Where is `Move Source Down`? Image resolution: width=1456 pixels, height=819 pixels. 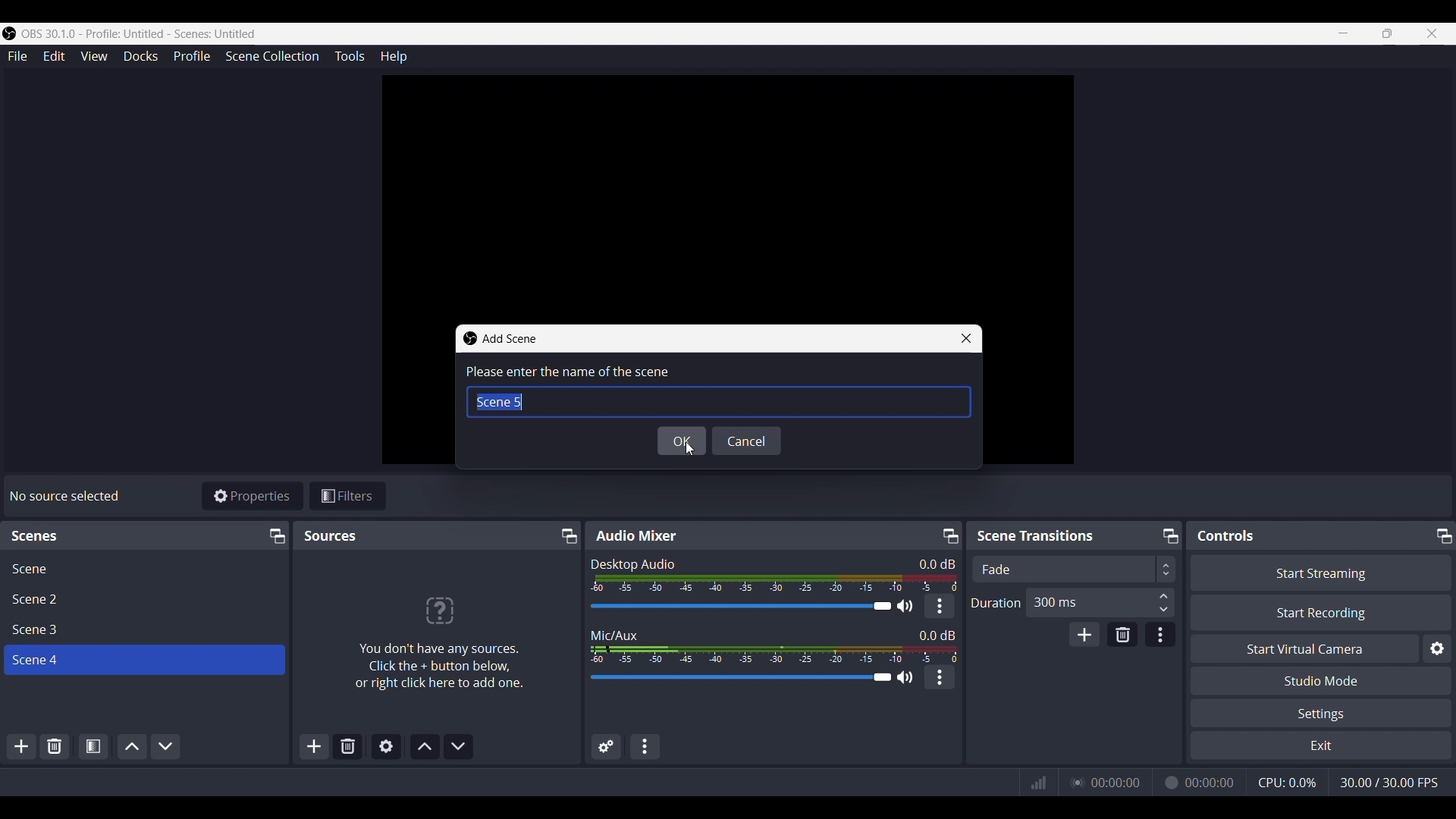
Move Source Down is located at coordinates (459, 747).